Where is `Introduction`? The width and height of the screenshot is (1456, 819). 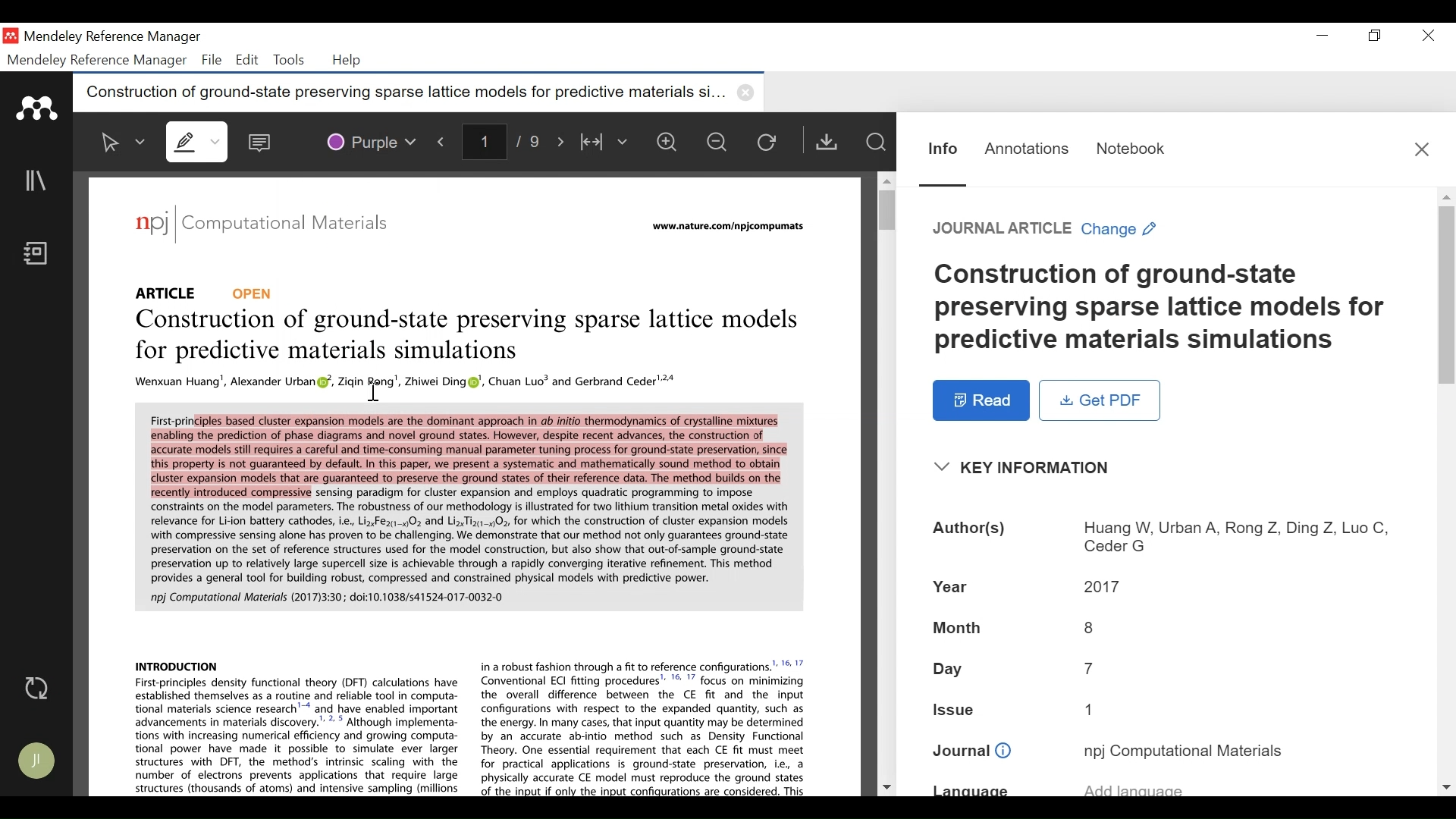
Introduction is located at coordinates (467, 725).